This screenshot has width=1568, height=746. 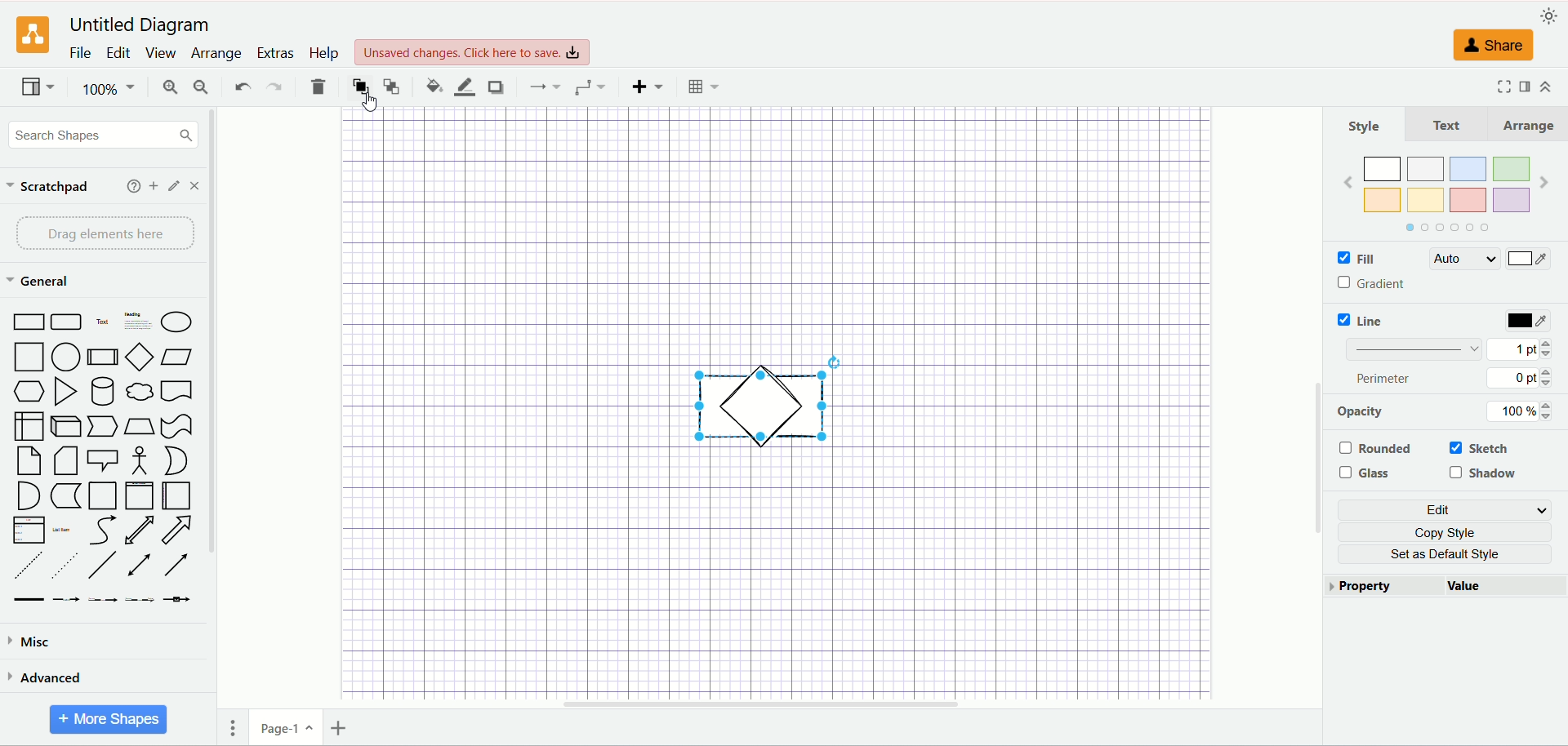 I want to click on Untitled Diagram, so click(x=140, y=26).